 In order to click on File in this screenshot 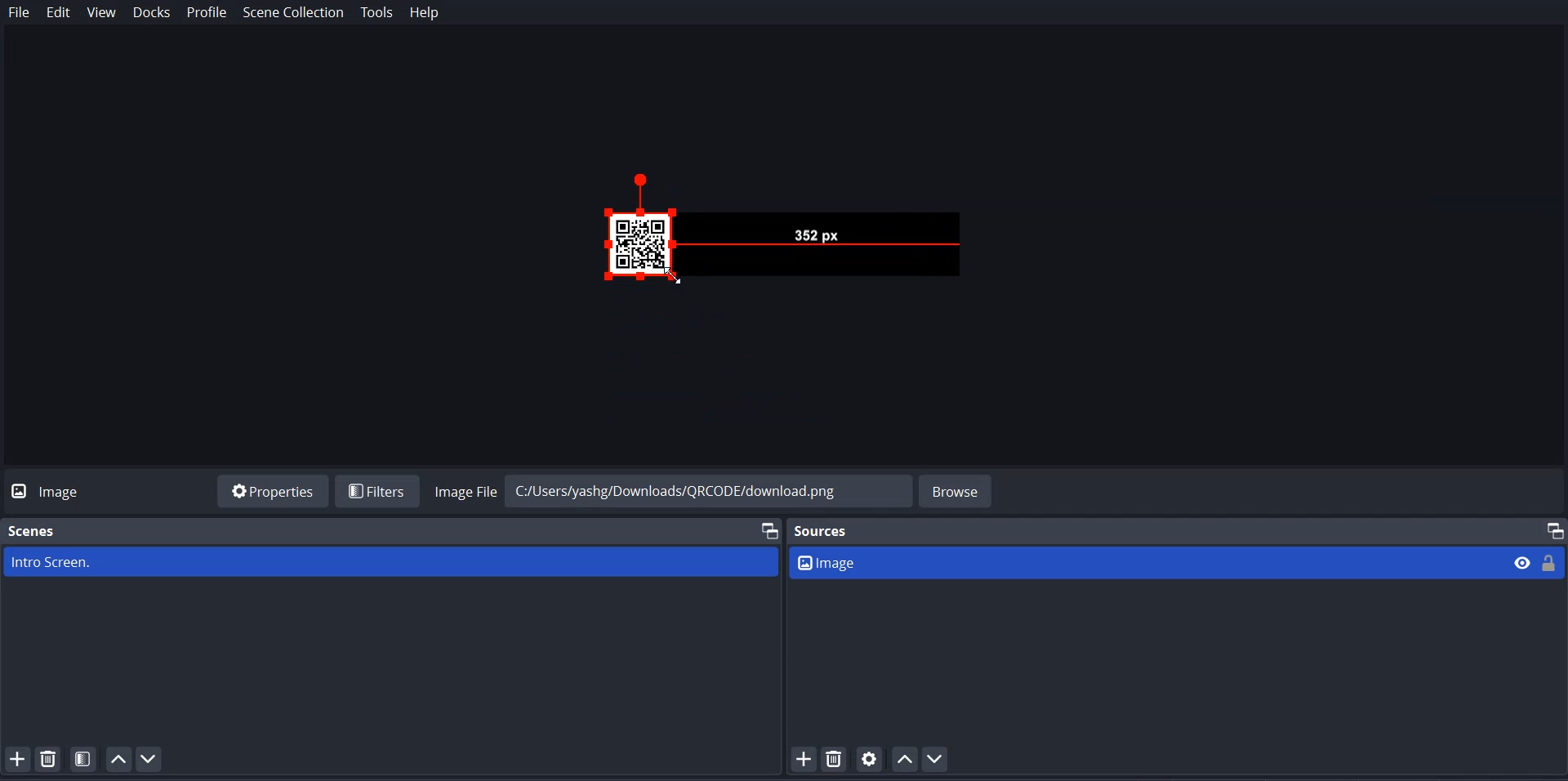, I will do `click(19, 13)`.